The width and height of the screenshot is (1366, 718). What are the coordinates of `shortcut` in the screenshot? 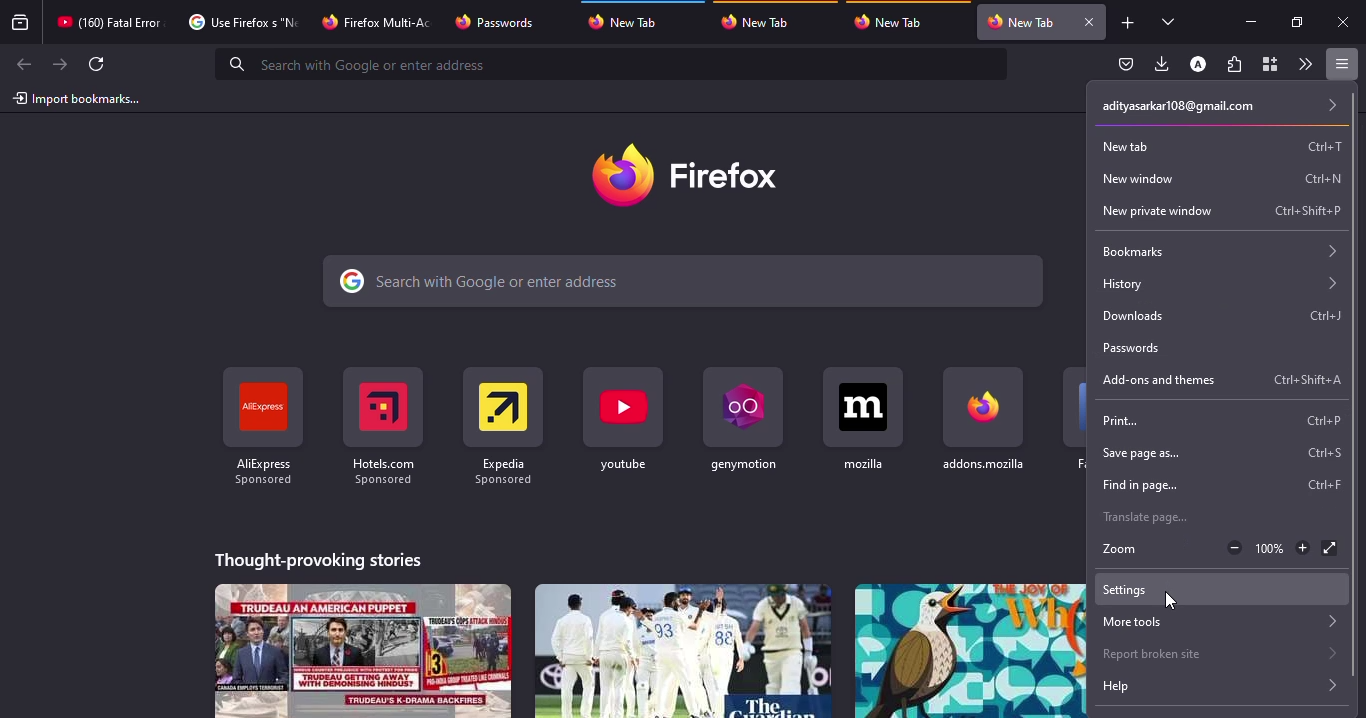 It's located at (740, 417).